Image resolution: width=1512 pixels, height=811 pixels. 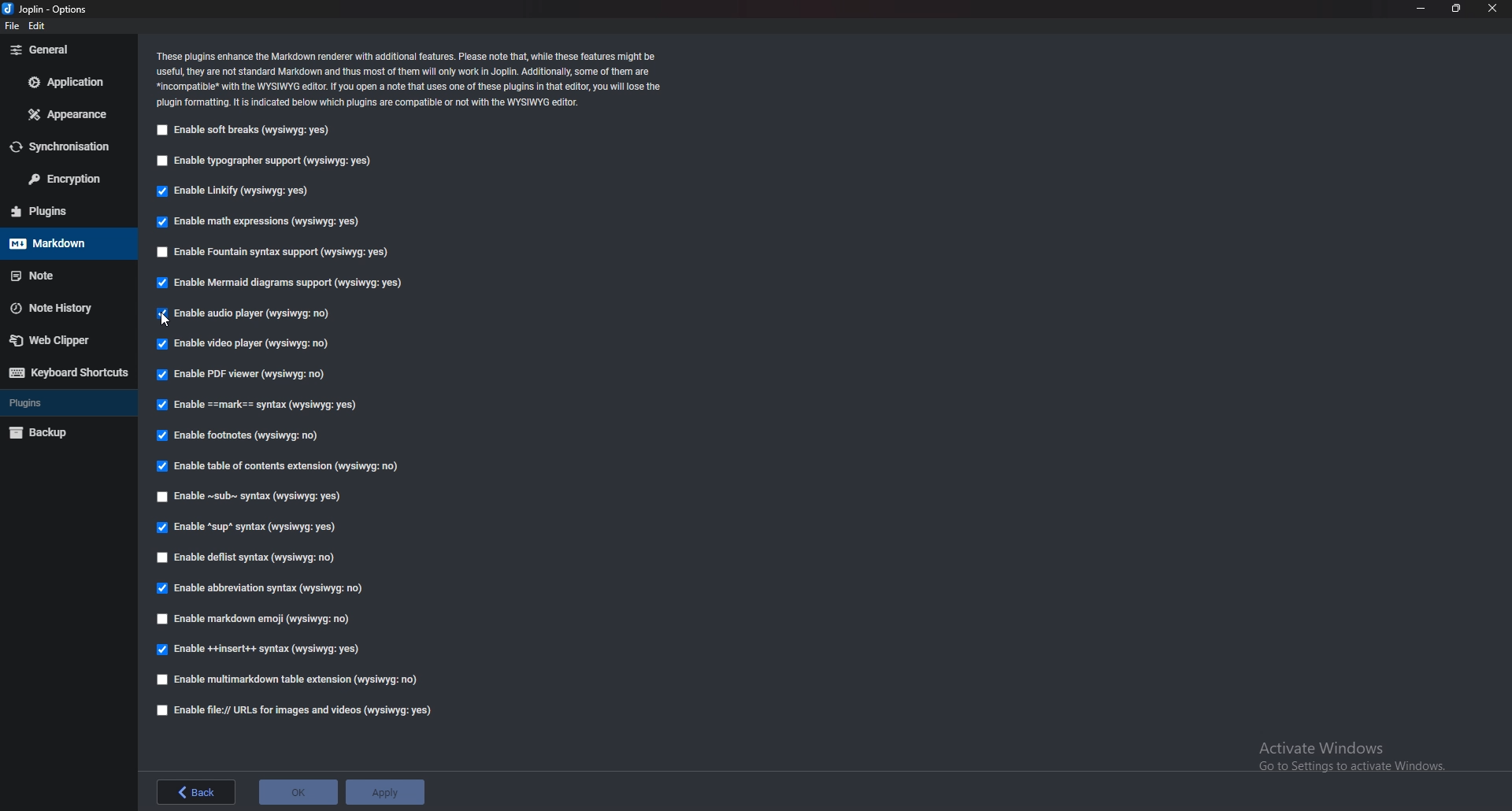 What do you see at coordinates (239, 315) in the screenshot?
I see `Enable audio player` at bounding box center [239, 315].